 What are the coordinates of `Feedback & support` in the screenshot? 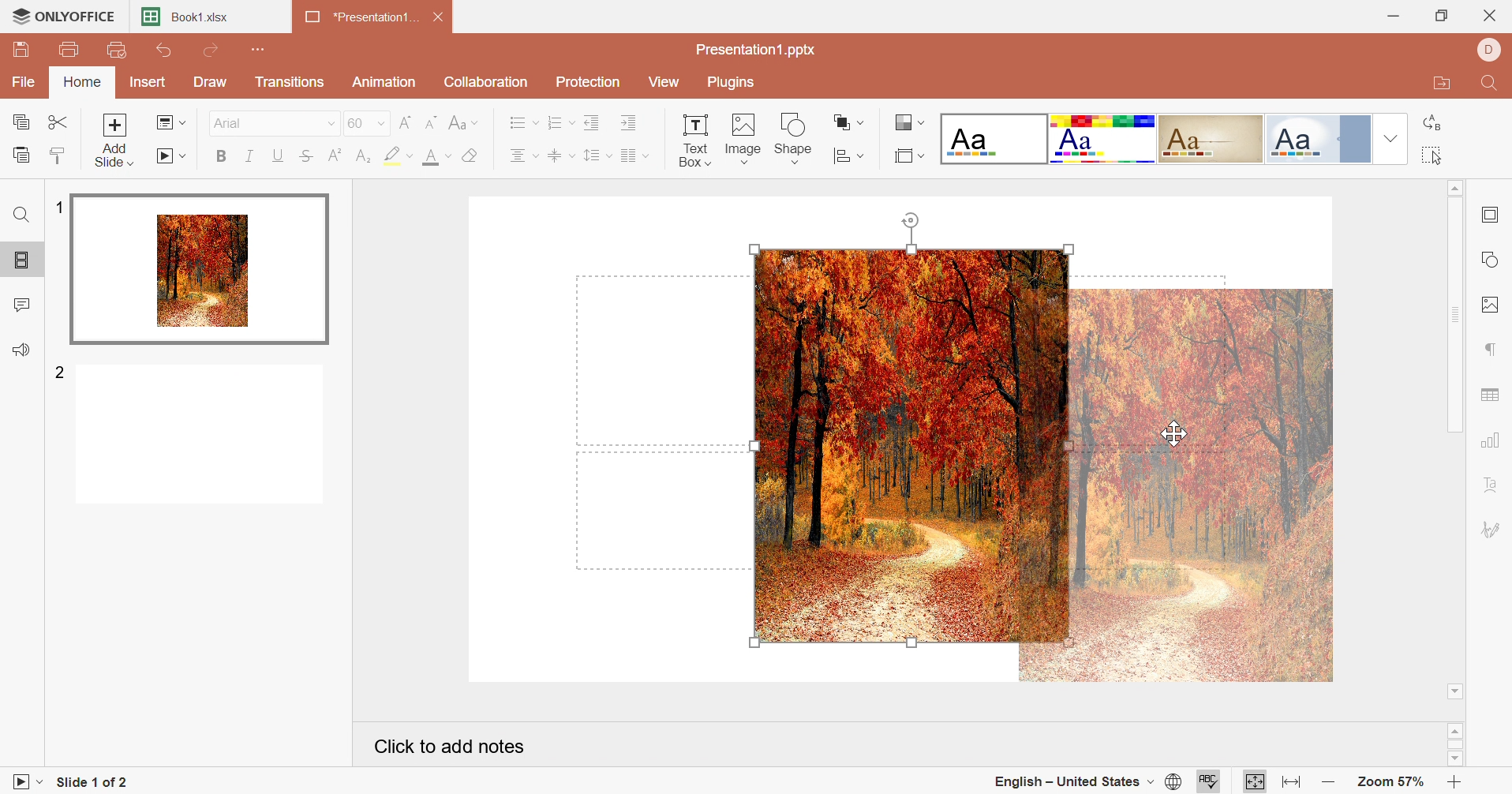 It's located at (21, 350).